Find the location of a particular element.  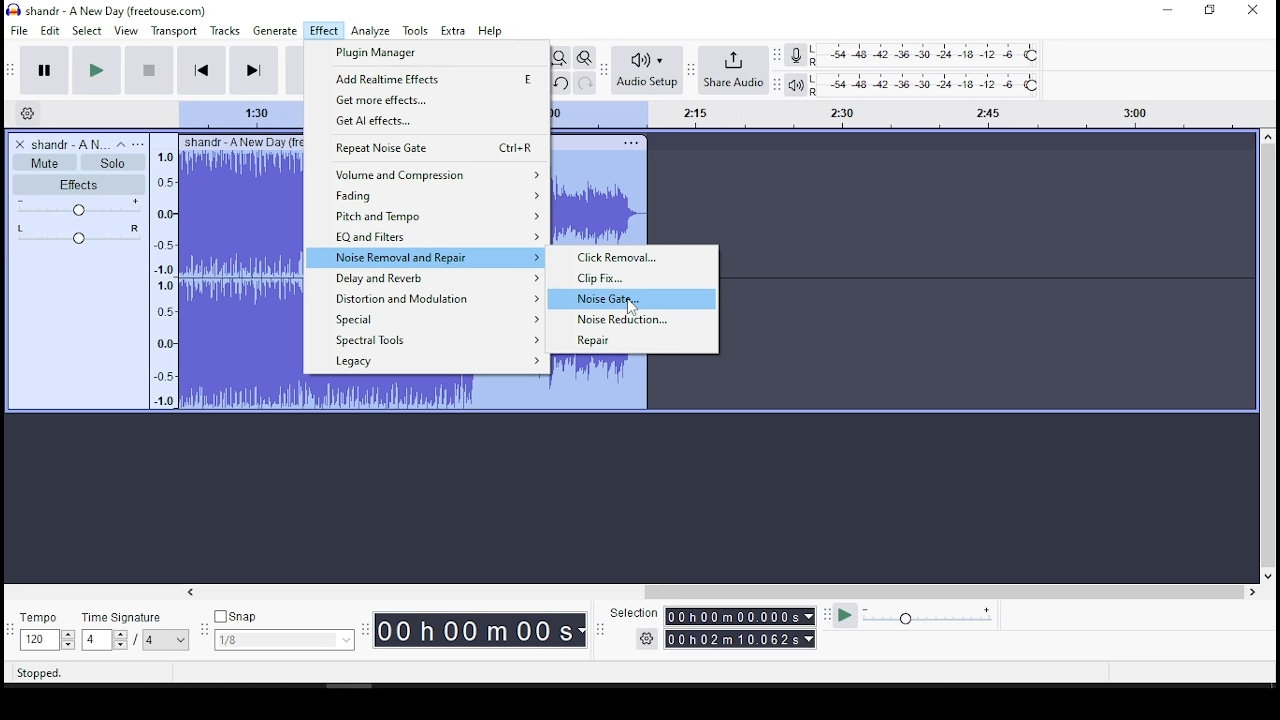

audio clip is located at coordinates (234, 273).